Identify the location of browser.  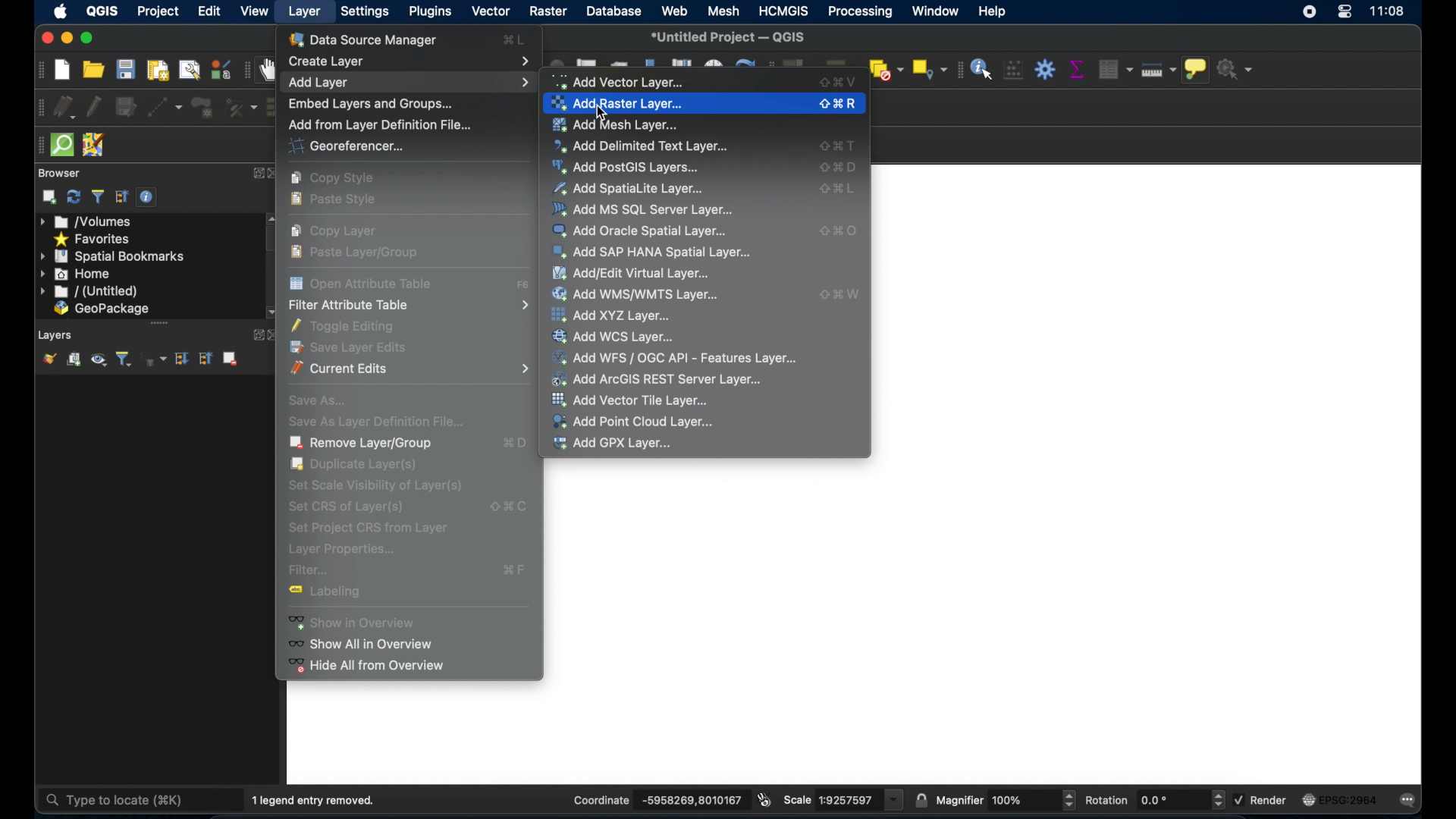
(58, 172).